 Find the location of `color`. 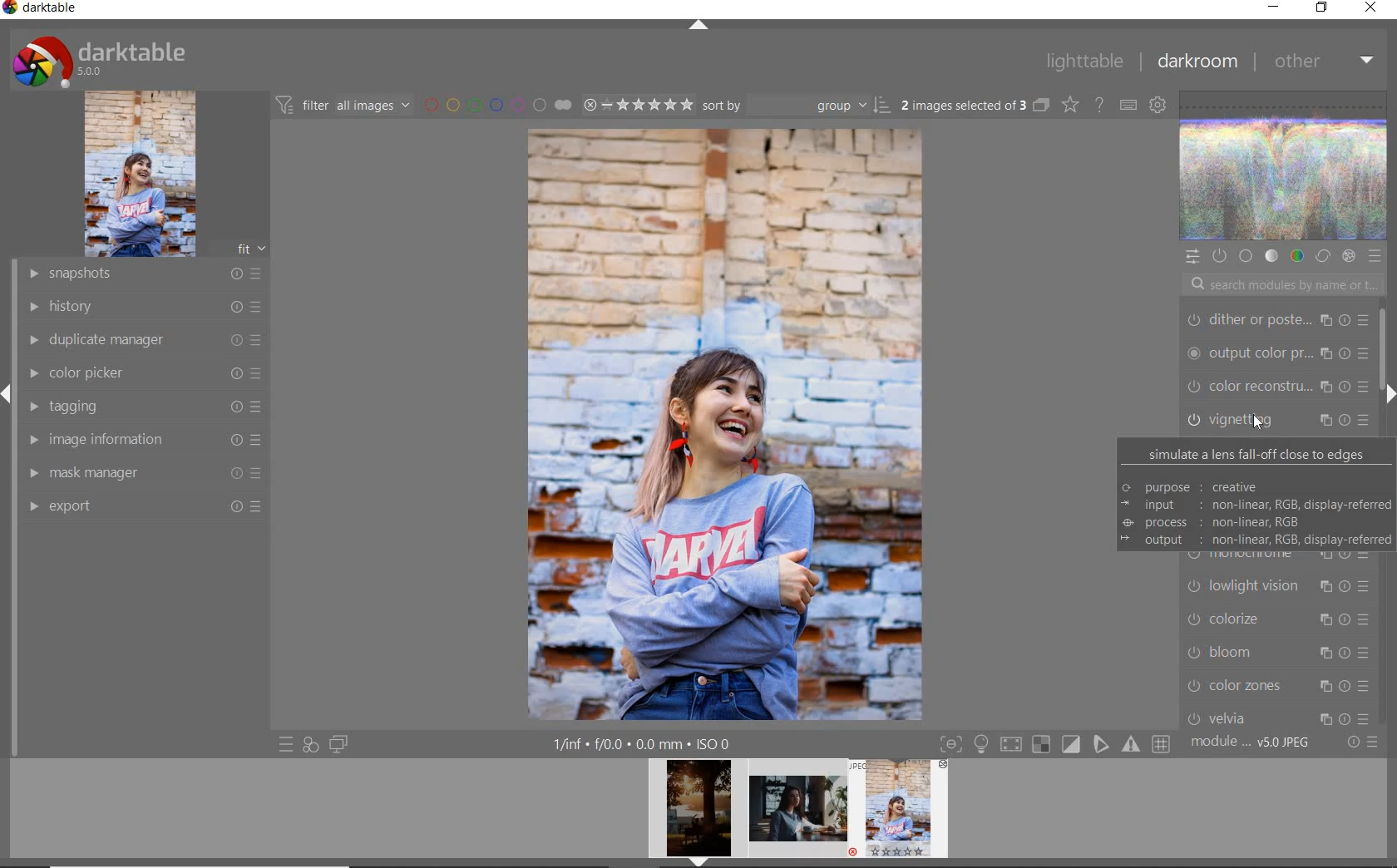

color is located at coordinates (1296, 255).